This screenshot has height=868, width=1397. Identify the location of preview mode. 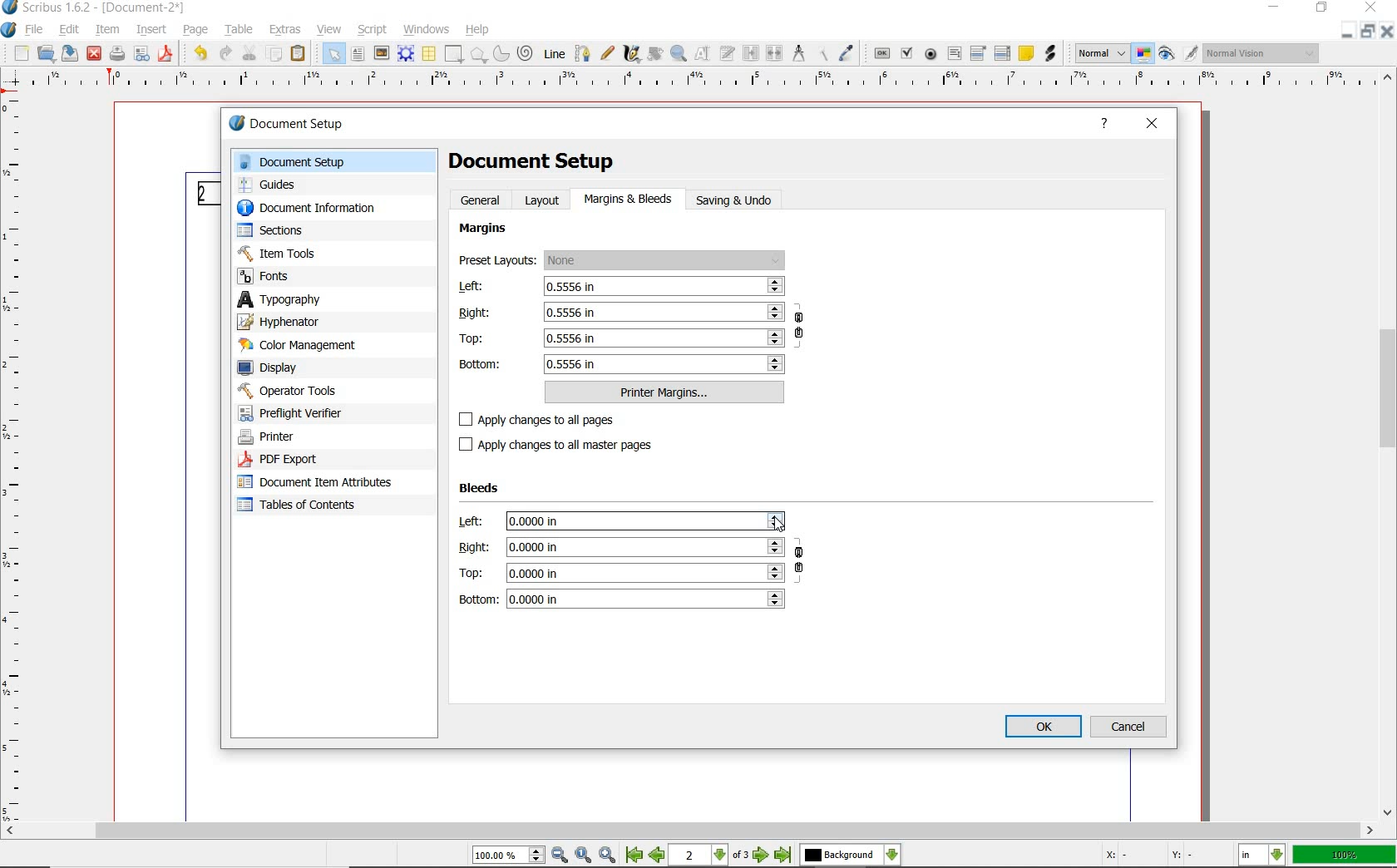
(1167, 55).